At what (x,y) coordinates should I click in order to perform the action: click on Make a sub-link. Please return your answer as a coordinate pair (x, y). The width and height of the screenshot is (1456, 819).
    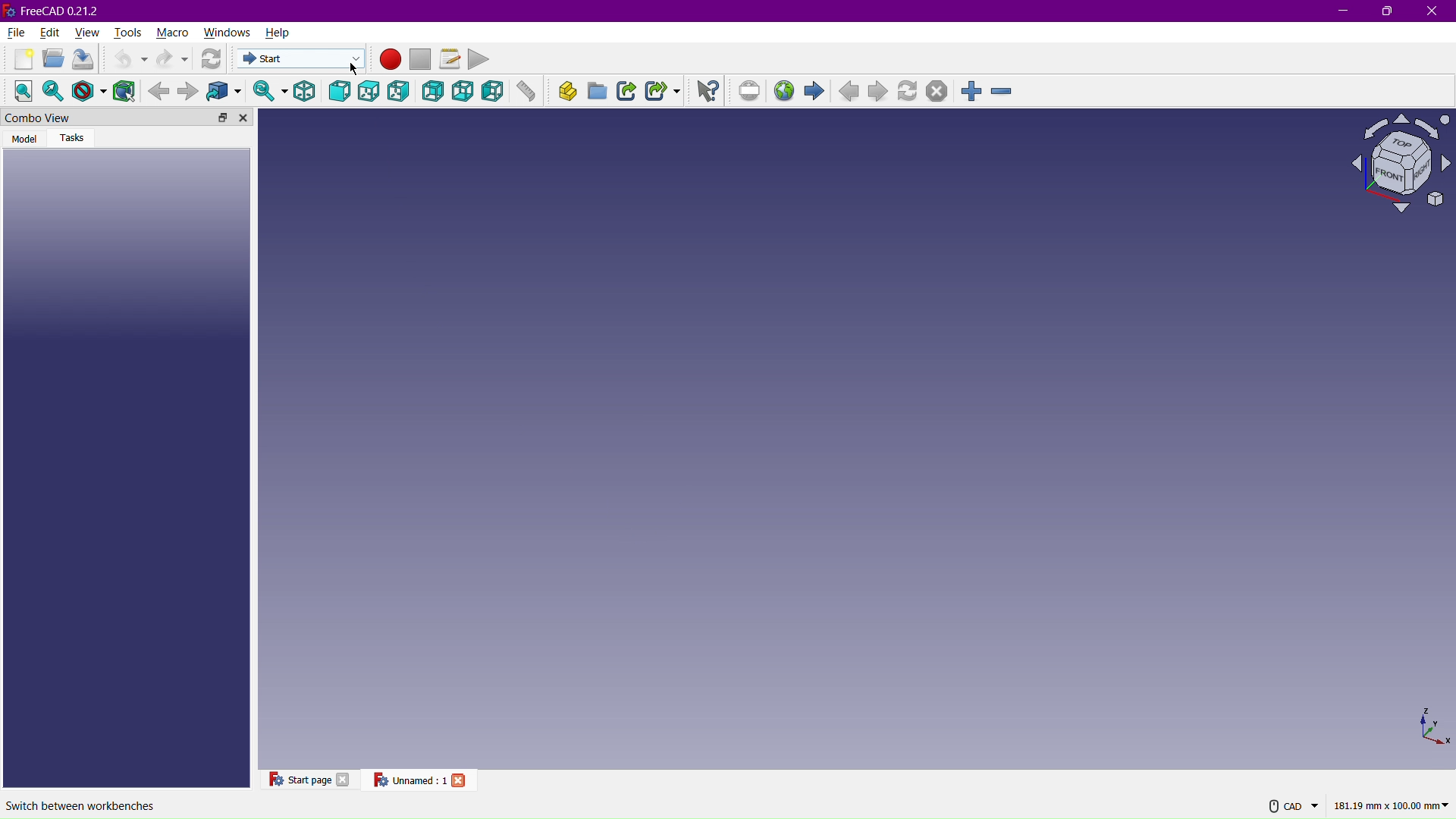
    Looking at the image, I should click on (664, 92).